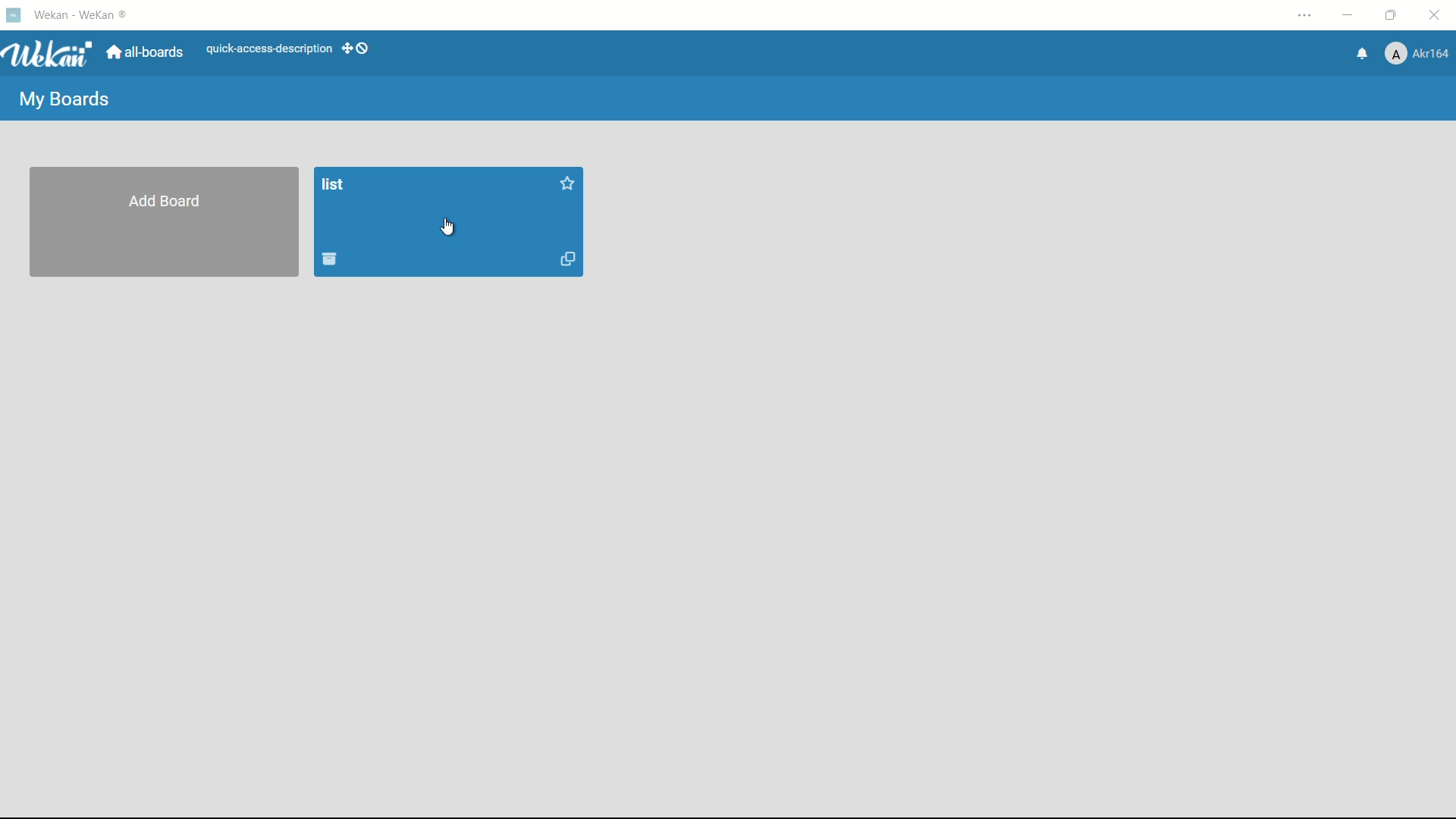  I want to click on board name, so click(330, 186).